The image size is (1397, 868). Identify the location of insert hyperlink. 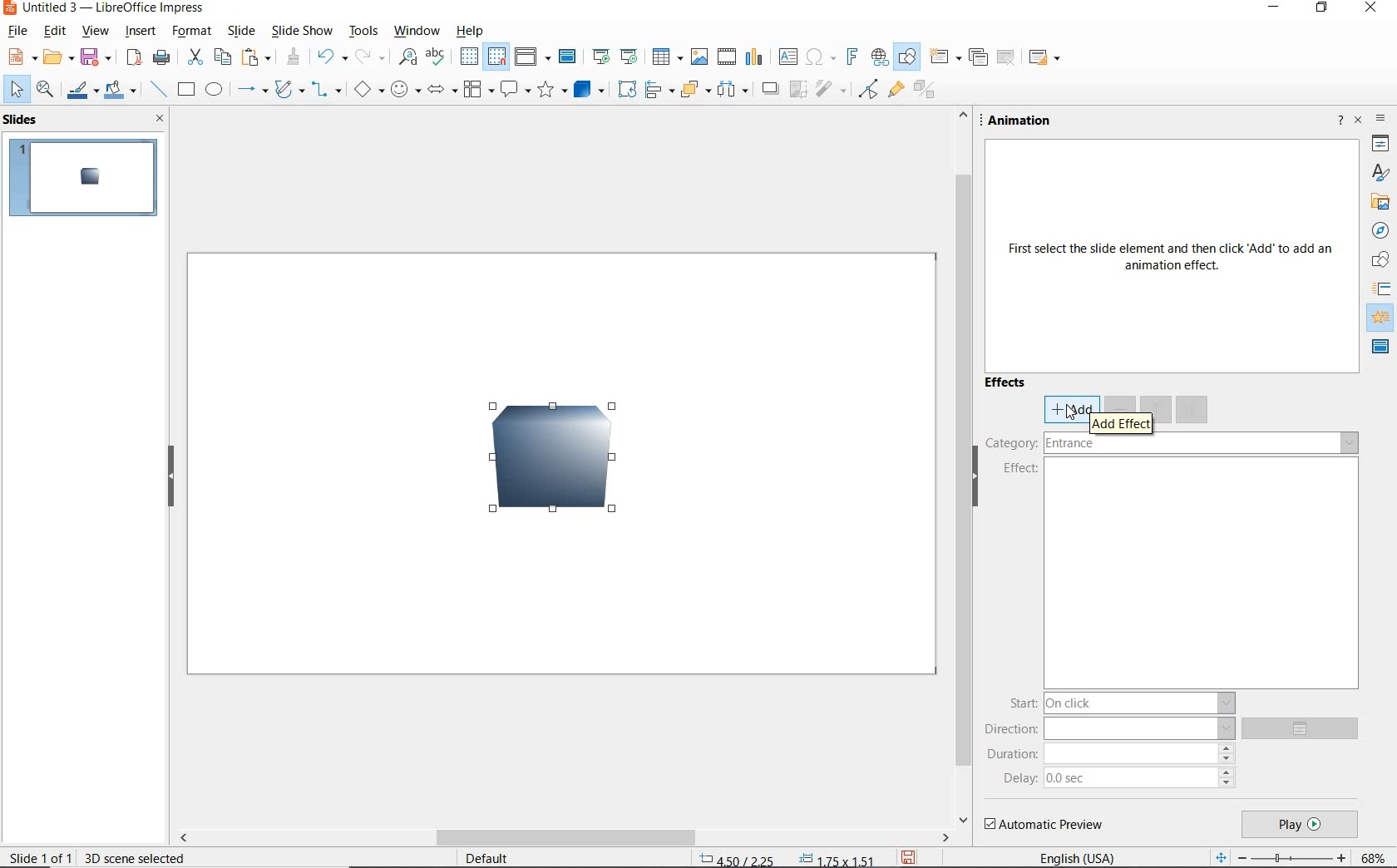
(877, 57).